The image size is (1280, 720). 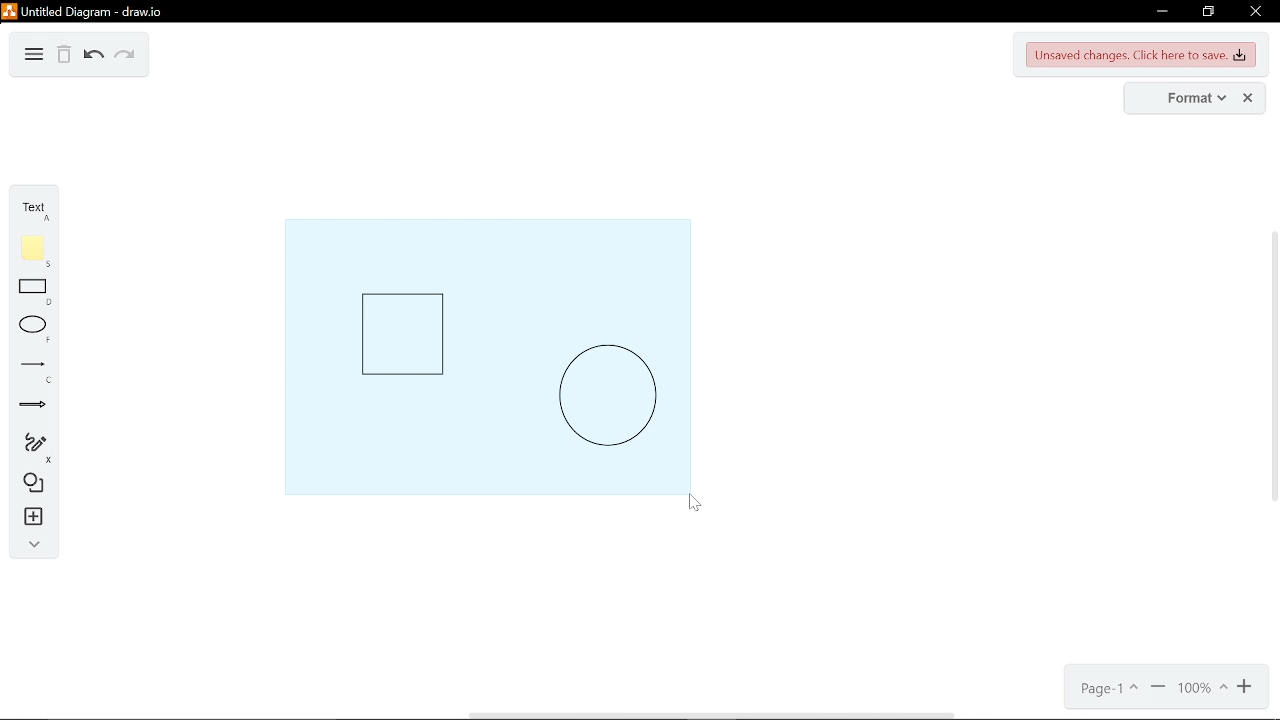 What do you see at coordinates (30, 484) in the screenshot?
I see `shapes` at bounding box center [30, 484].